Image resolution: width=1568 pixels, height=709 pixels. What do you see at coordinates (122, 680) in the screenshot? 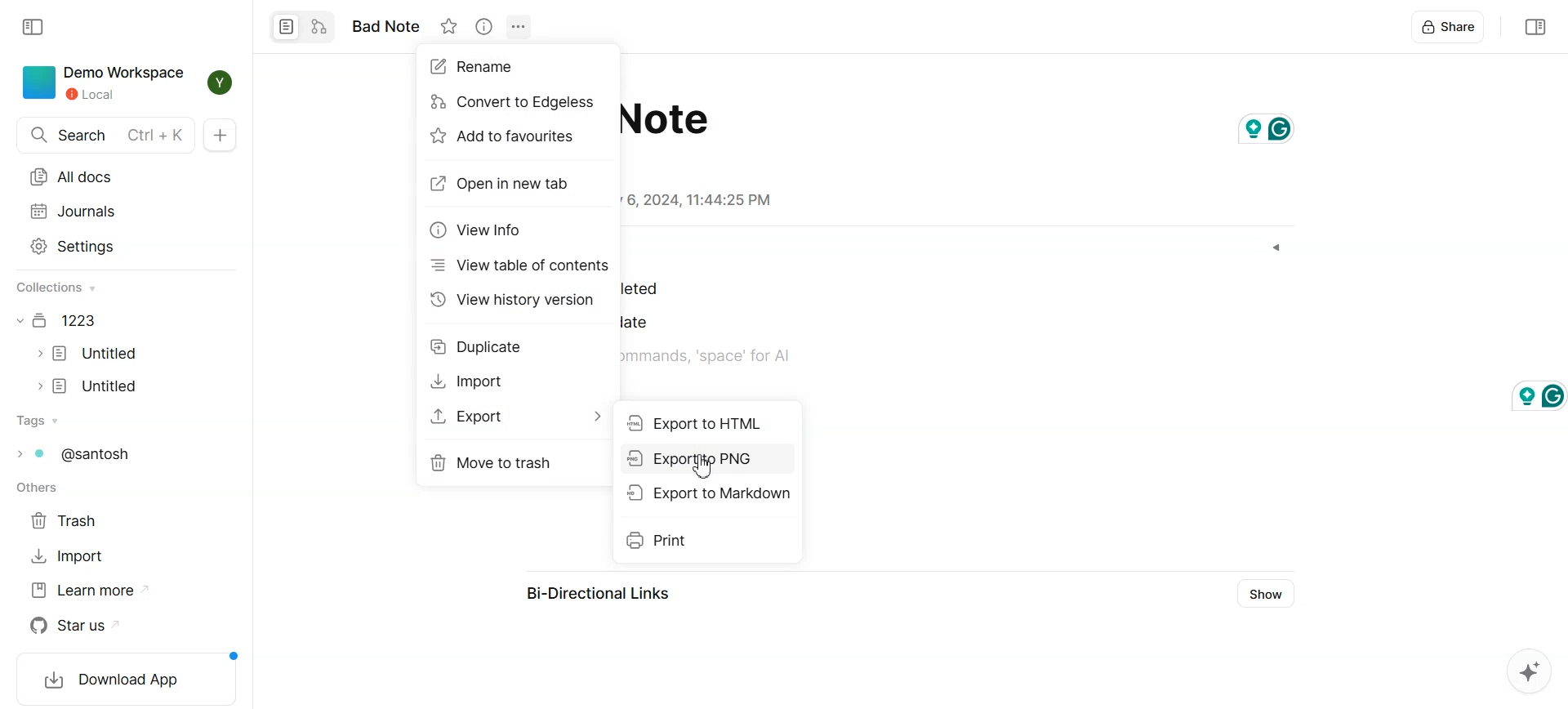
I see `Download App` at bounding box center [122, 680].